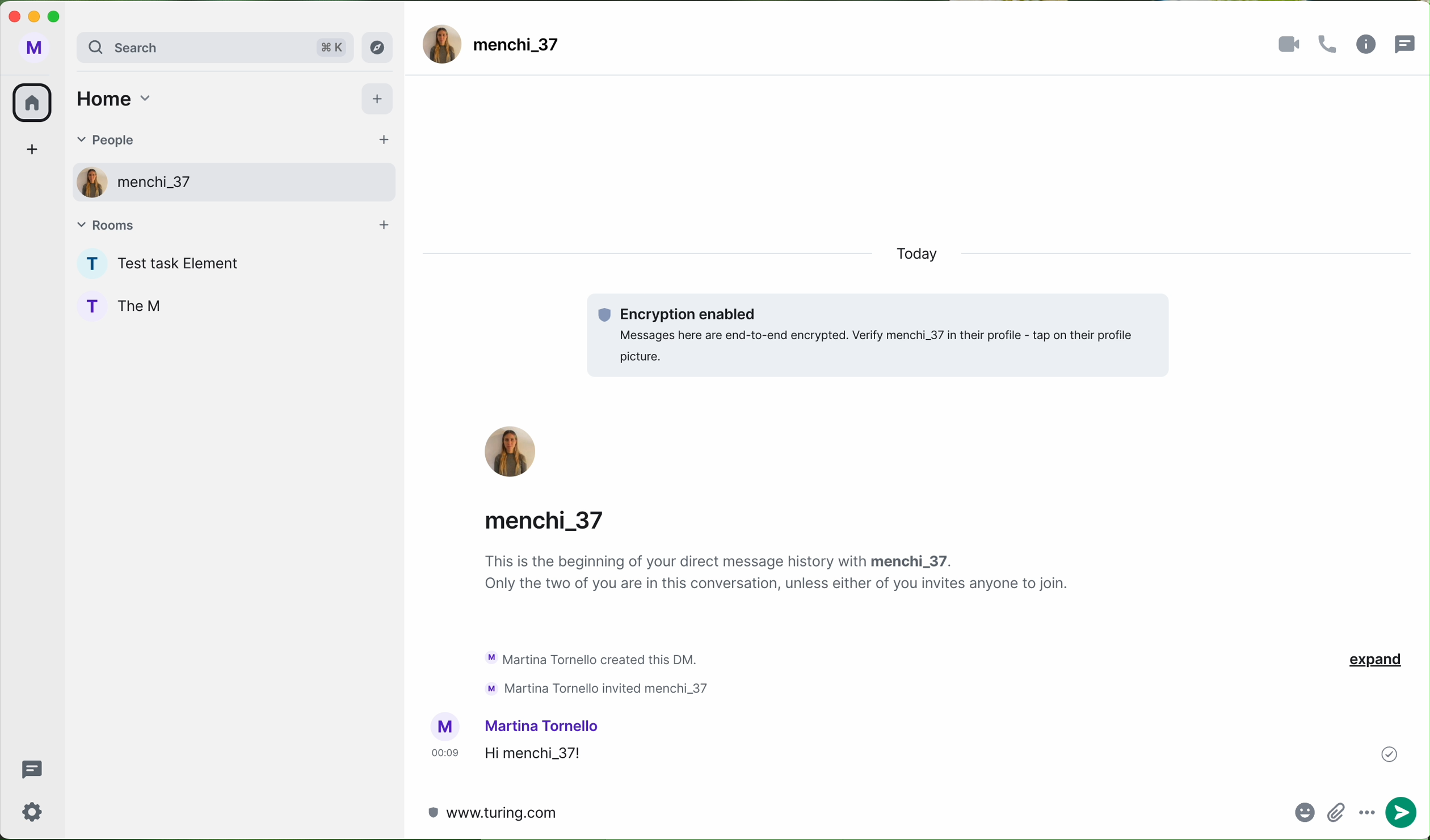  Describe the element at coordinates (146, 305) in the screenshot. I see `The M` at that location.